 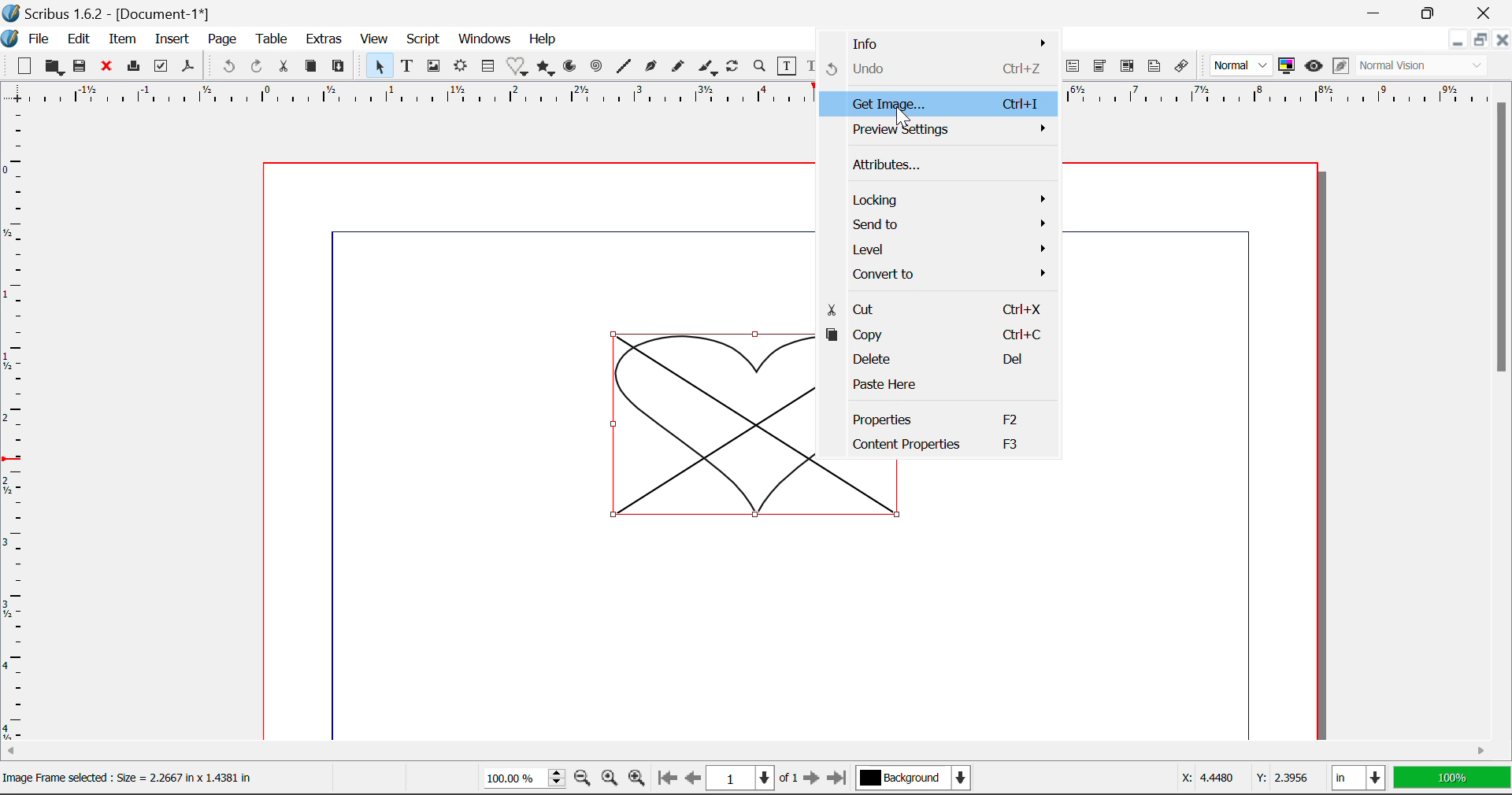 What do you see at coordinates (520, 780) in the screenshot?
I see `100%` at bounding box center [520, 780].